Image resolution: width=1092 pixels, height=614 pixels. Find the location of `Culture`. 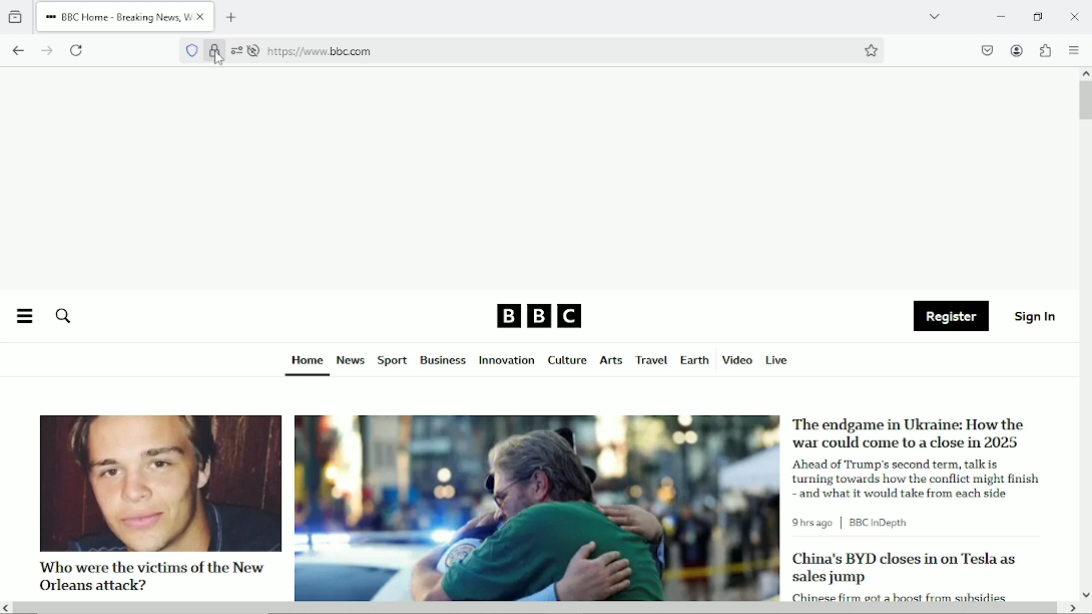

Culture is located at coordinates (567, 361).